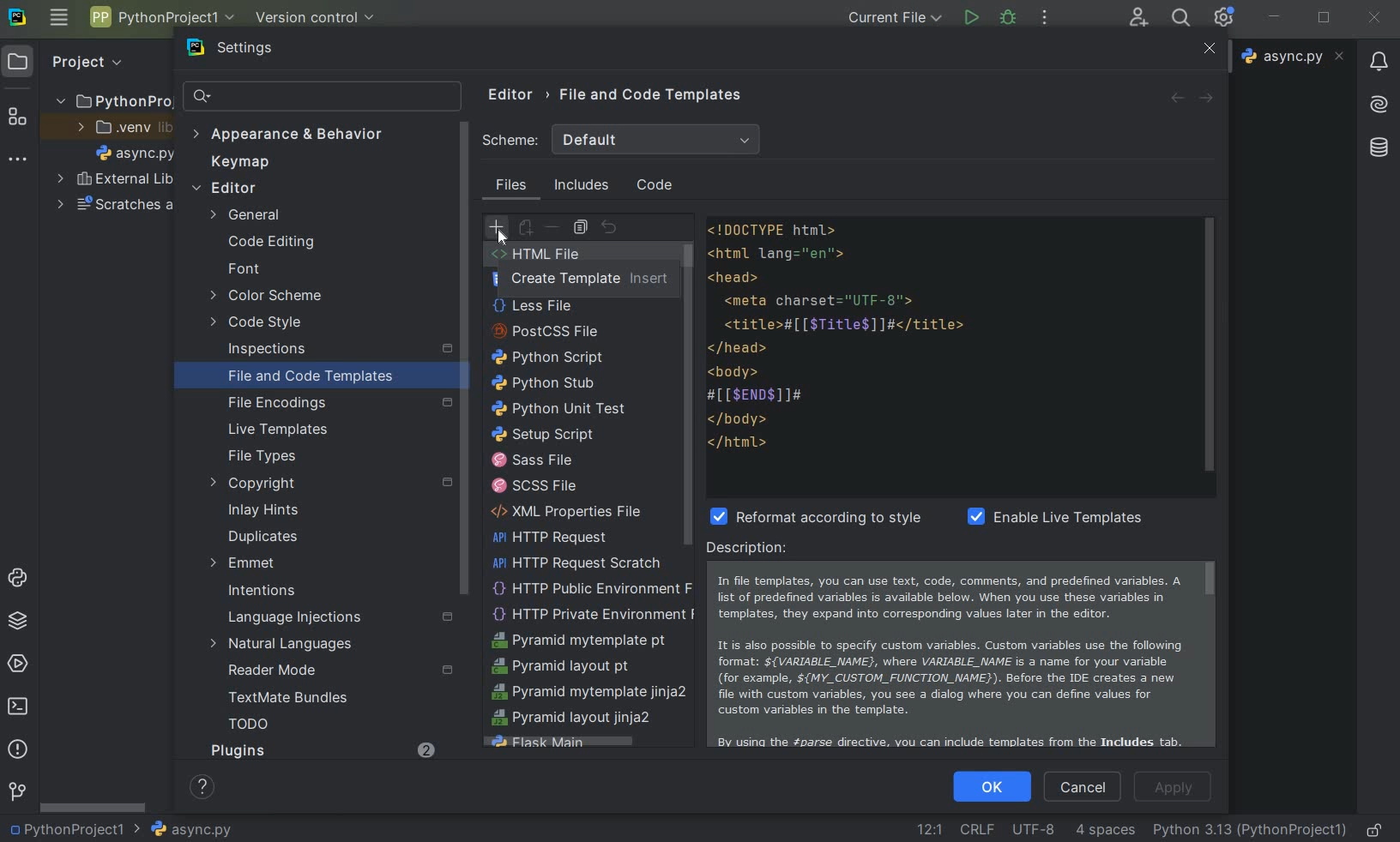 The height and width of the screenshot is (842, 1400). What do you see at coordinates (305, 698) in the screenshot?
I see `TextMate Bundles` at bounding box center [305, 698].